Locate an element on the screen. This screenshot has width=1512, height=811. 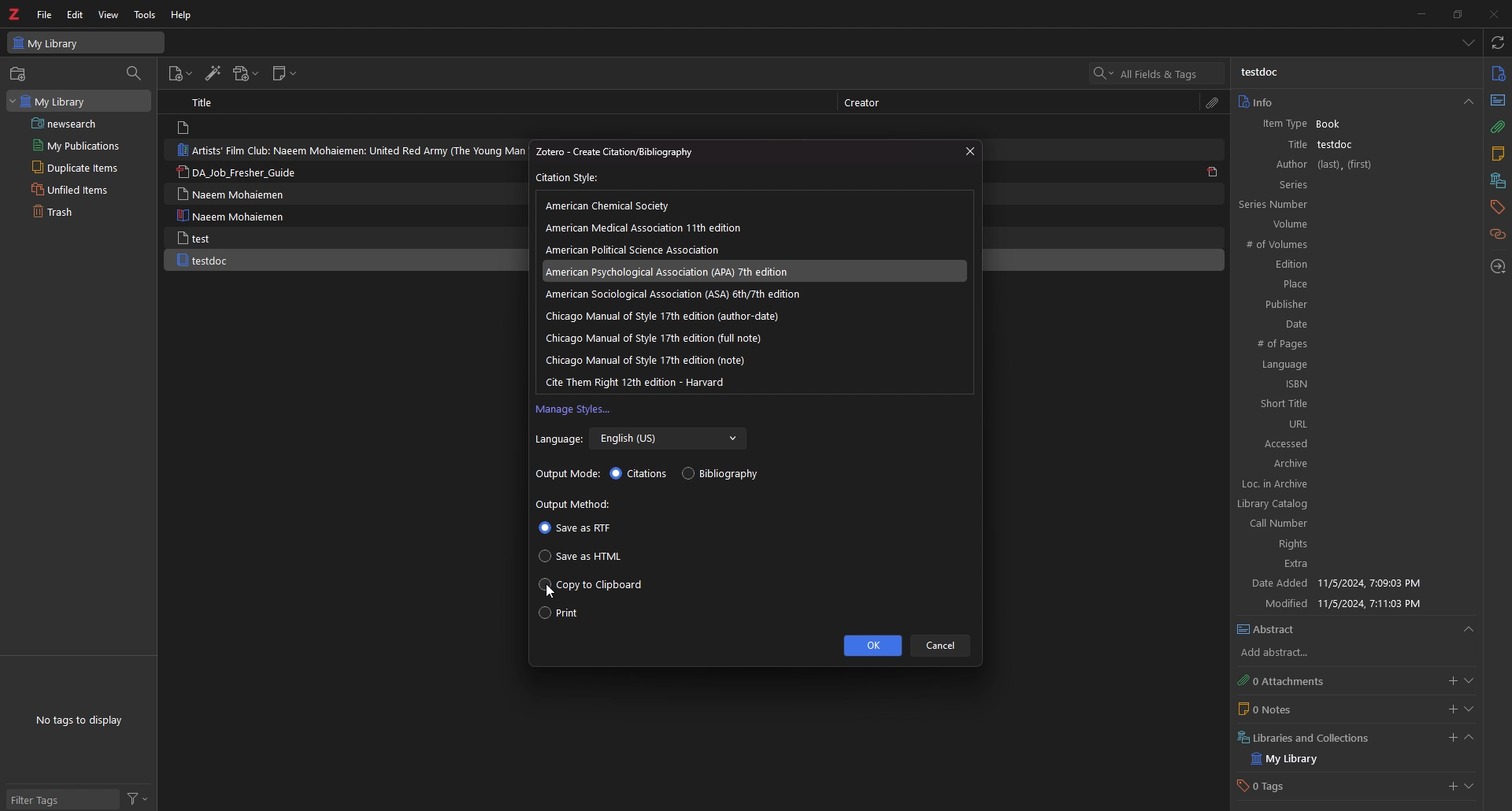
English (US) is located at coordinates (669, 439).